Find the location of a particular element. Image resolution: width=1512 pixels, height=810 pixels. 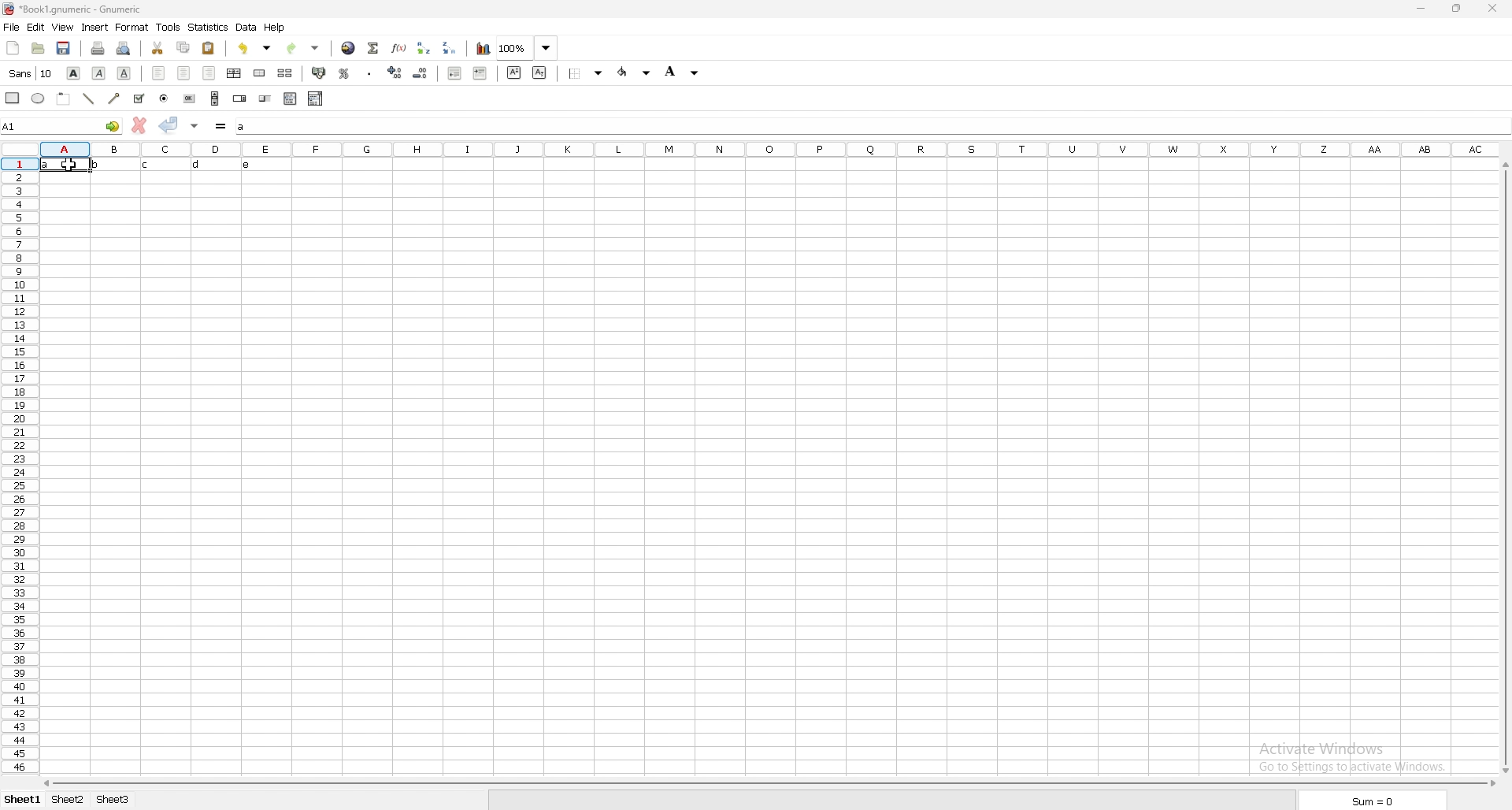

spin button is located at coordinates (239, 98).